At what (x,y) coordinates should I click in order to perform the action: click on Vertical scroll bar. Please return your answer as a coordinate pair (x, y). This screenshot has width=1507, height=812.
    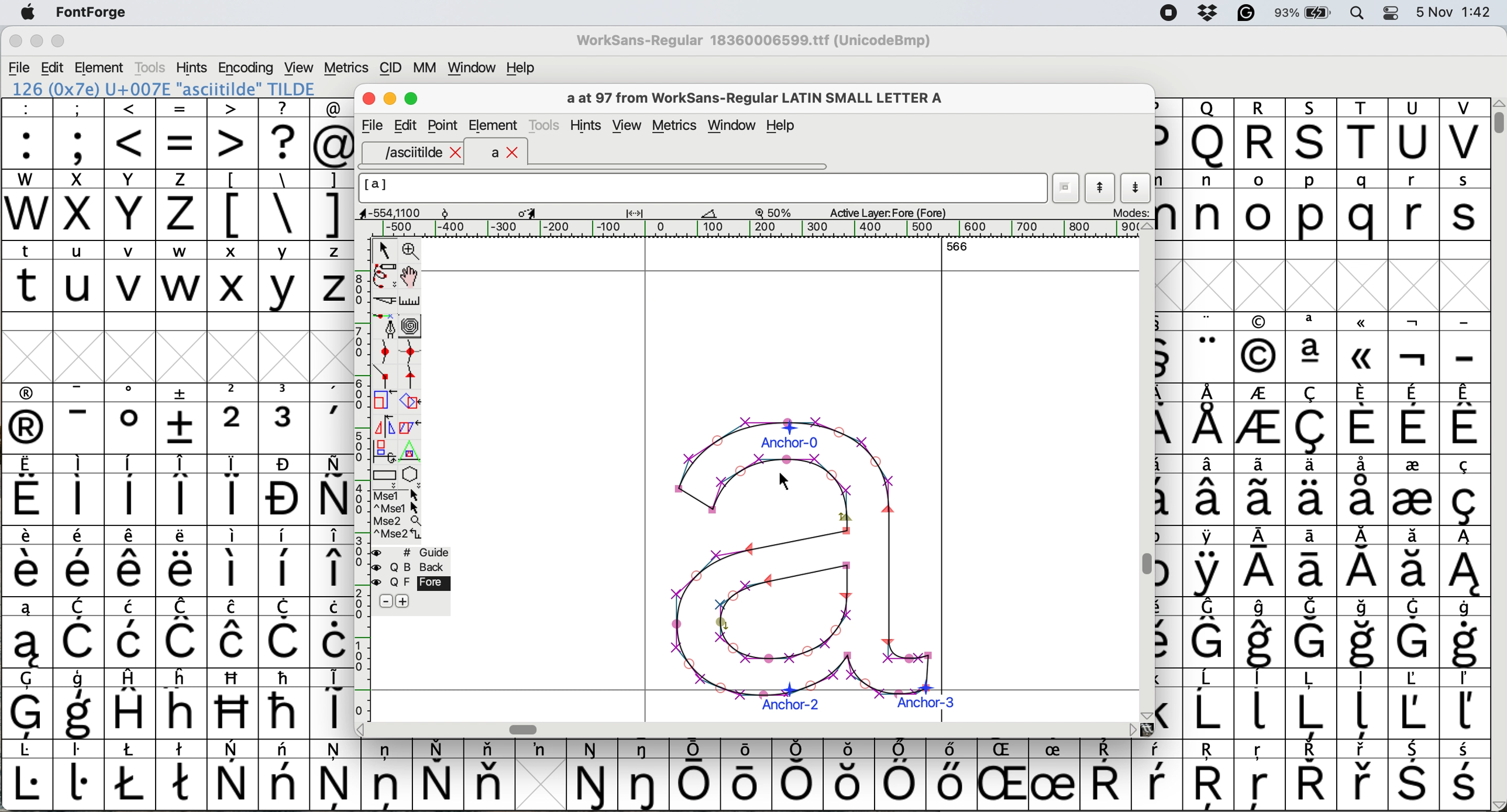
    Looking at the image, I should click on (1143, 566).